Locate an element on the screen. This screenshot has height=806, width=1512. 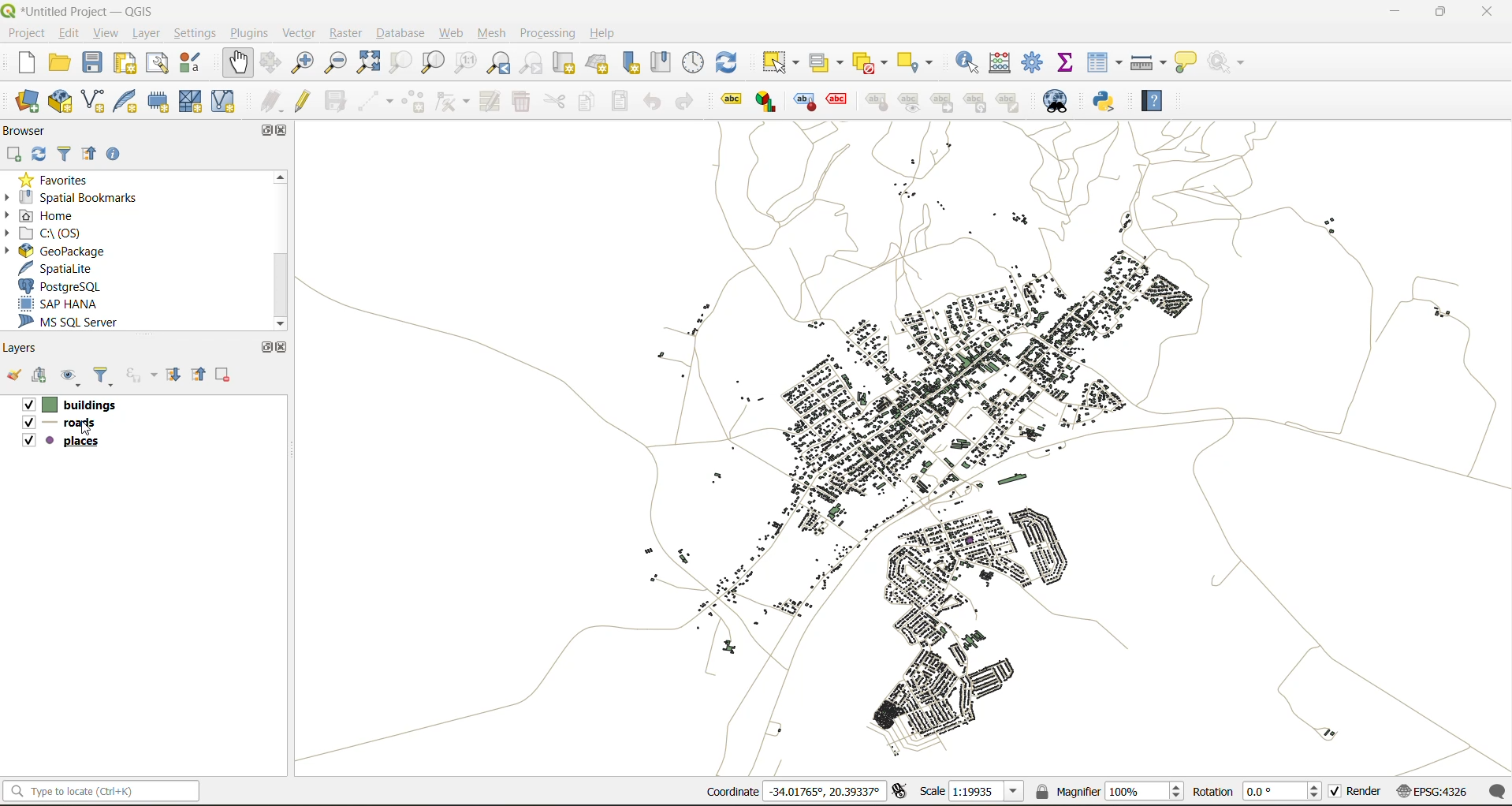
toggle edits is located at coordinates (302, 103).